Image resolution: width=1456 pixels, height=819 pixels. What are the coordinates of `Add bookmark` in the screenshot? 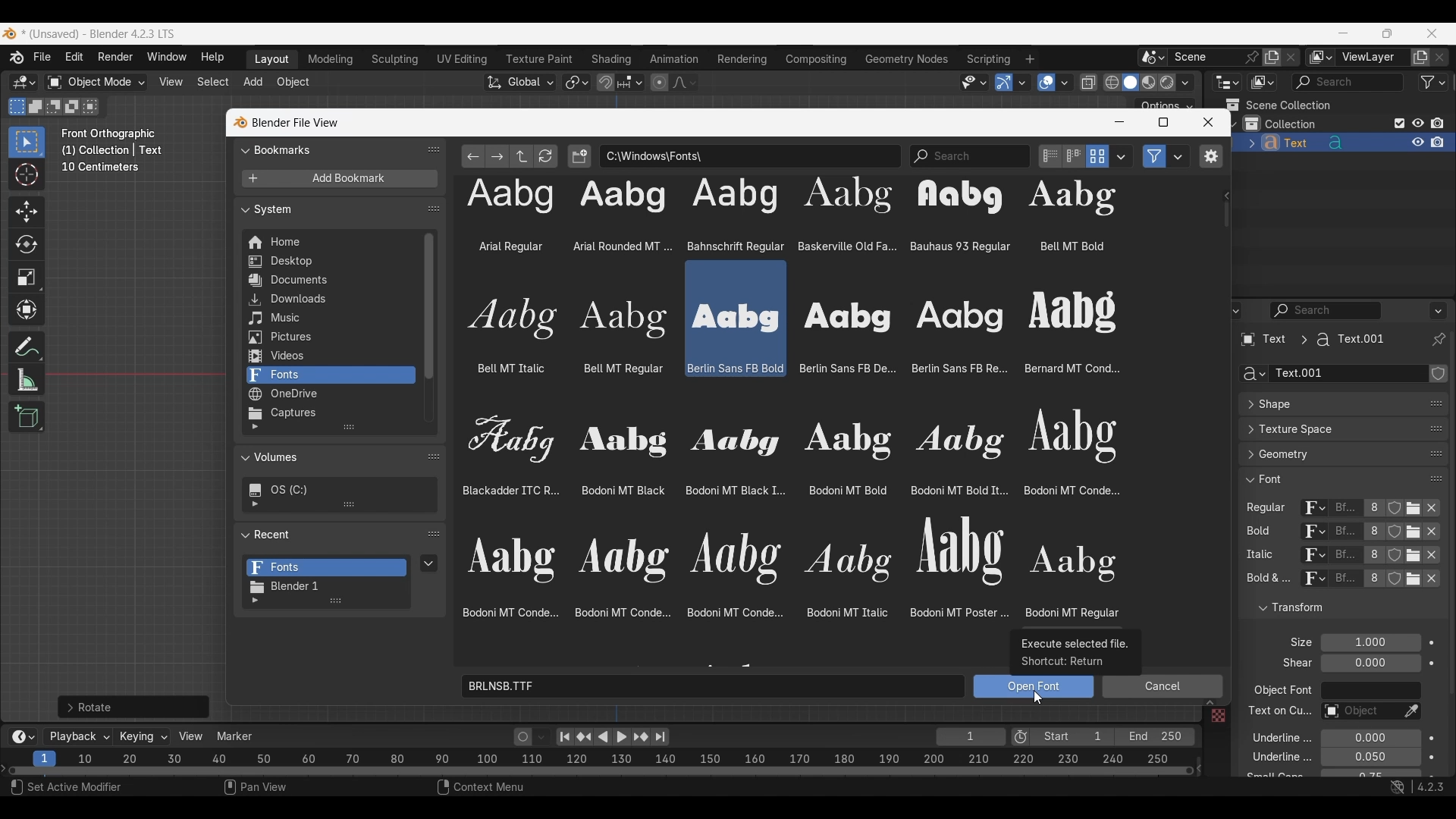 It's located at (339, 179).